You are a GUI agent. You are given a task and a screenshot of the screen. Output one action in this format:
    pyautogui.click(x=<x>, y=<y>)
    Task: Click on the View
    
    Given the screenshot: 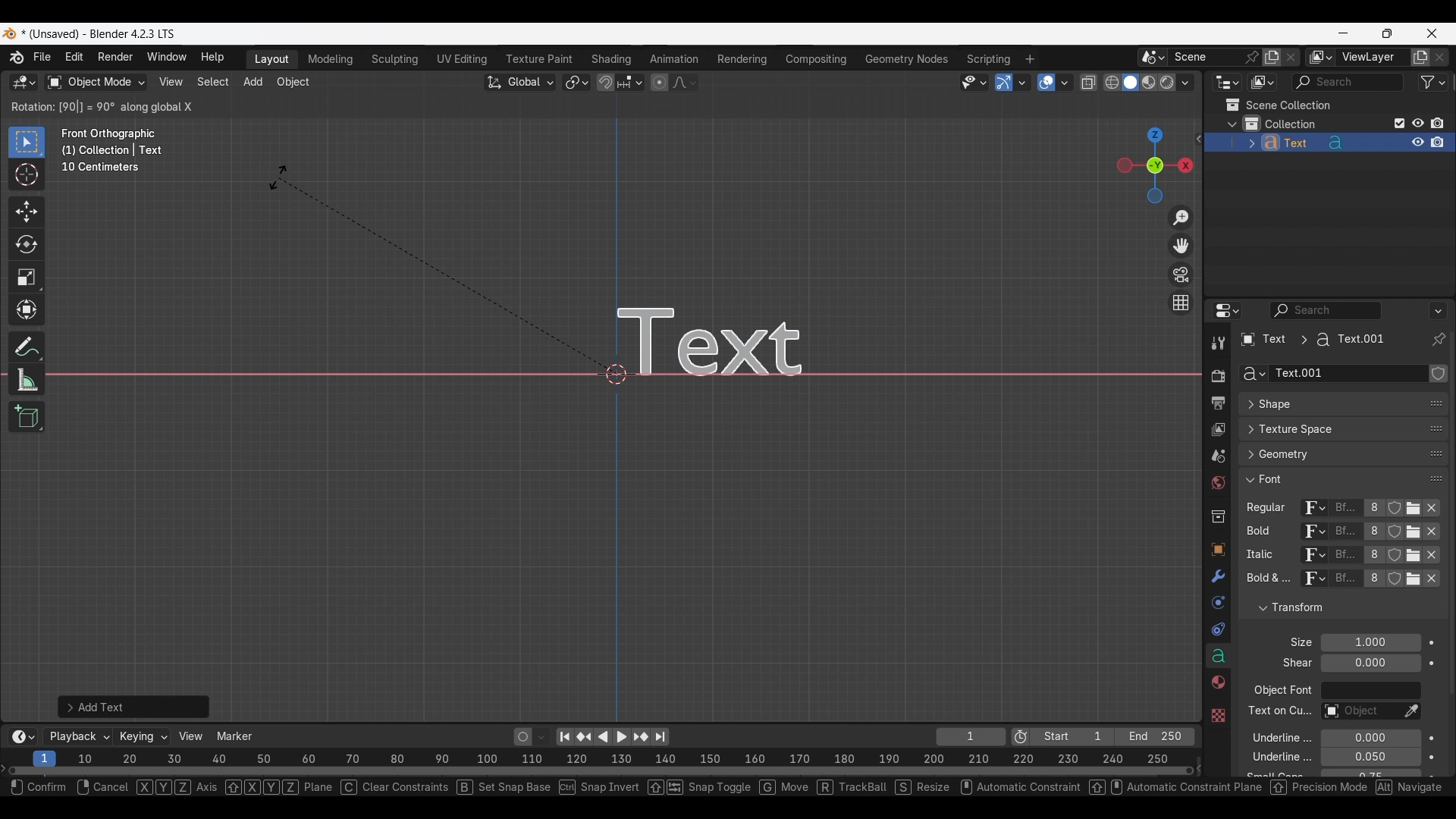 What is the action you would take?
    pyautogui.click(x=191, y=736)
    